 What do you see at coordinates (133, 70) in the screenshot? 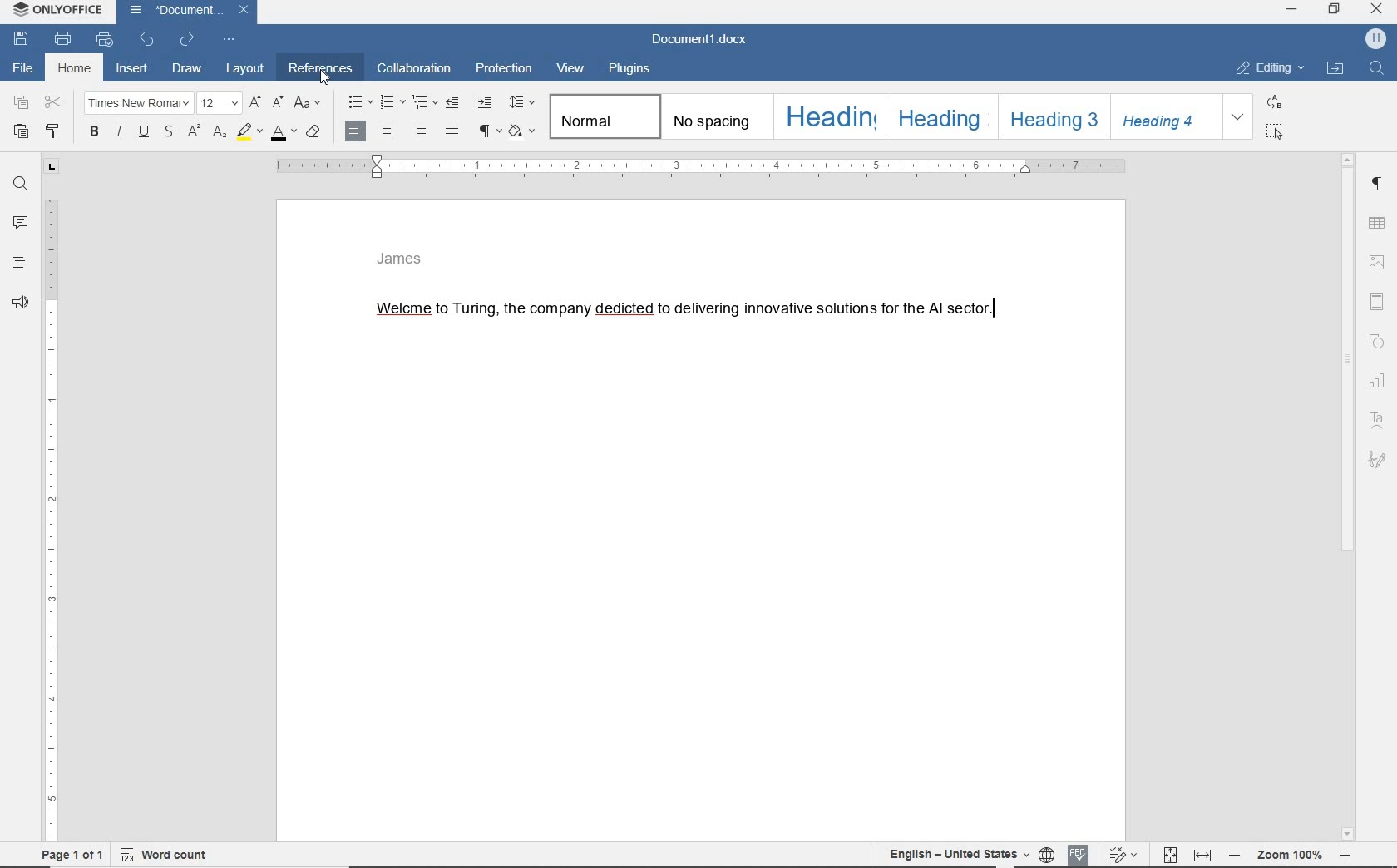
I see `insert` at bounding box center [133, 70].